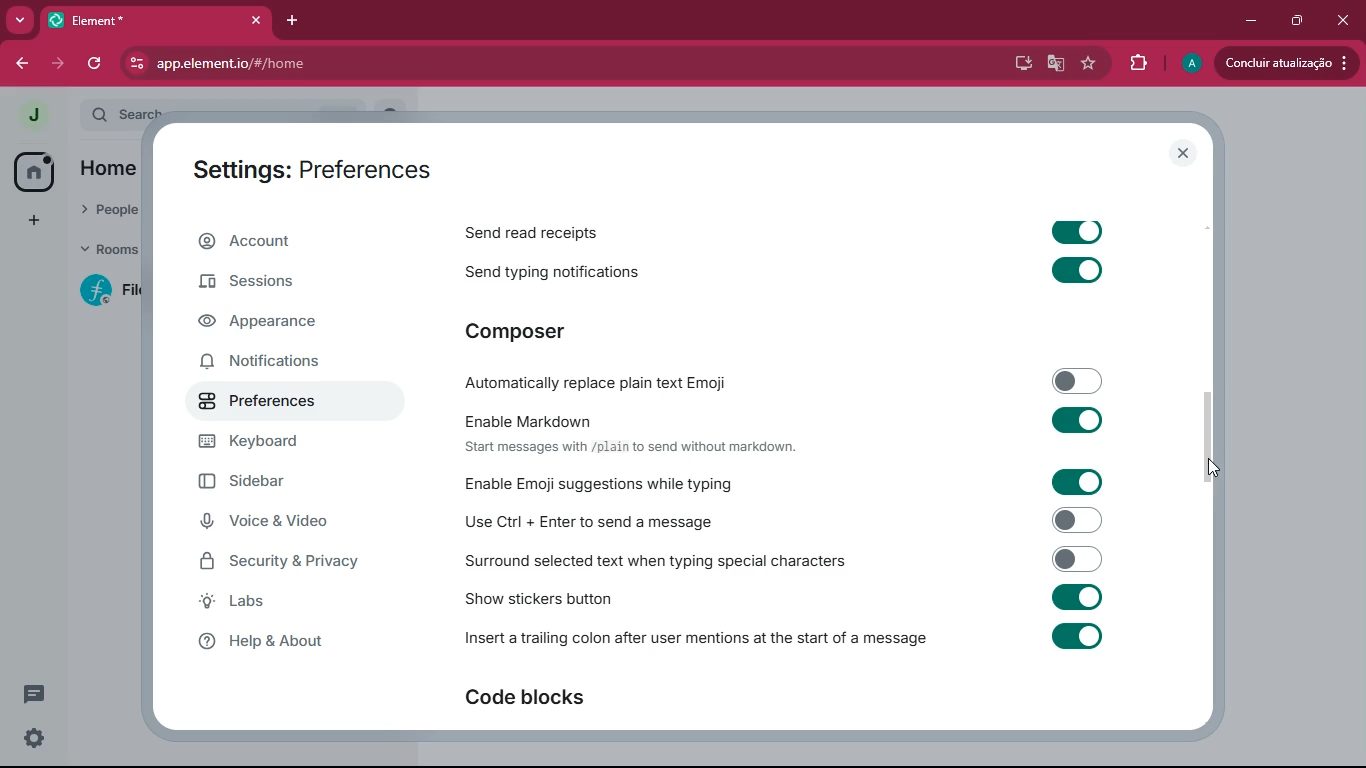 The width and height of the screenshot is (1366, 768). I want to click on help, so click(295, 643).